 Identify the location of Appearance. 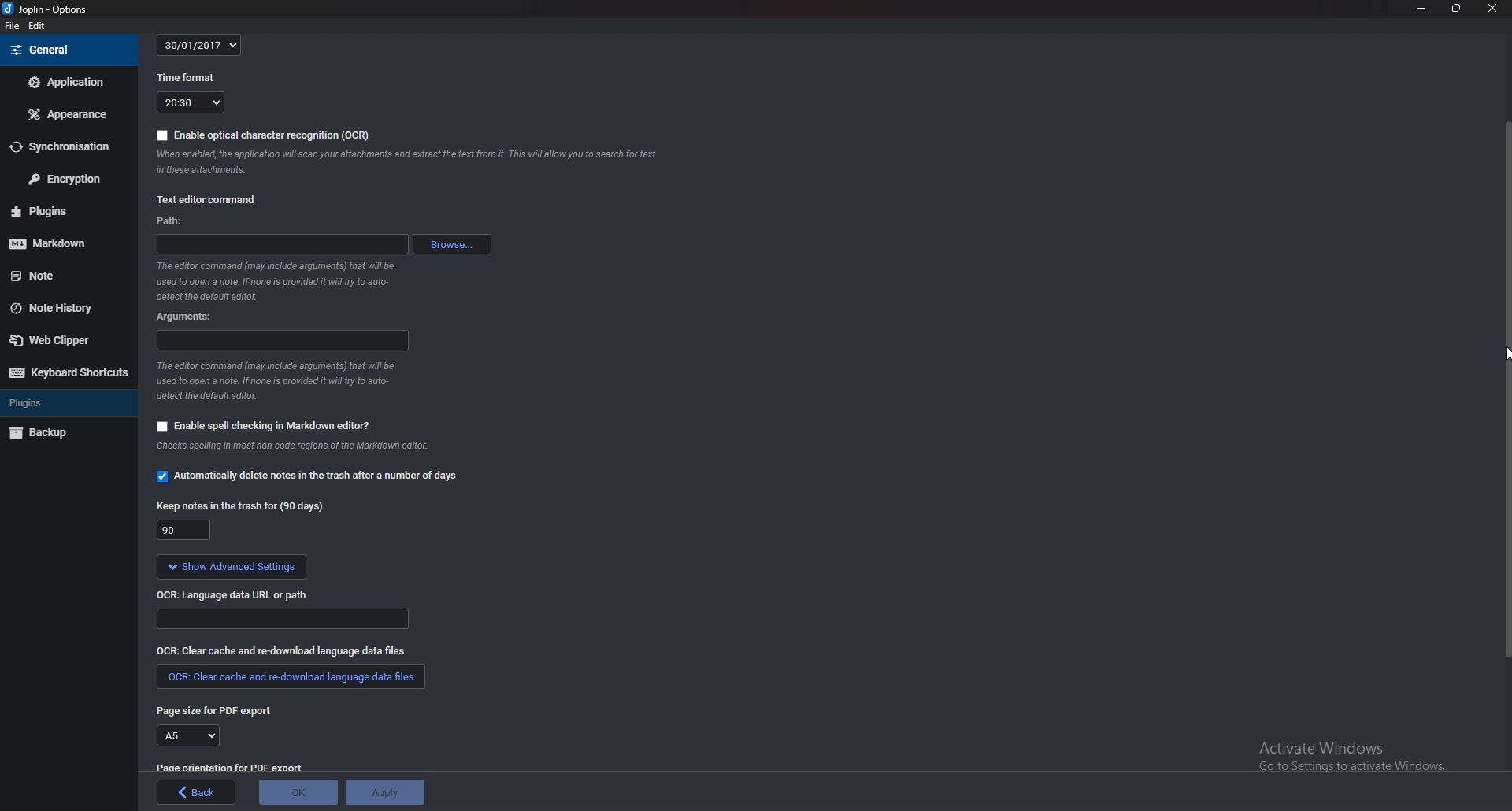
(66, 113).